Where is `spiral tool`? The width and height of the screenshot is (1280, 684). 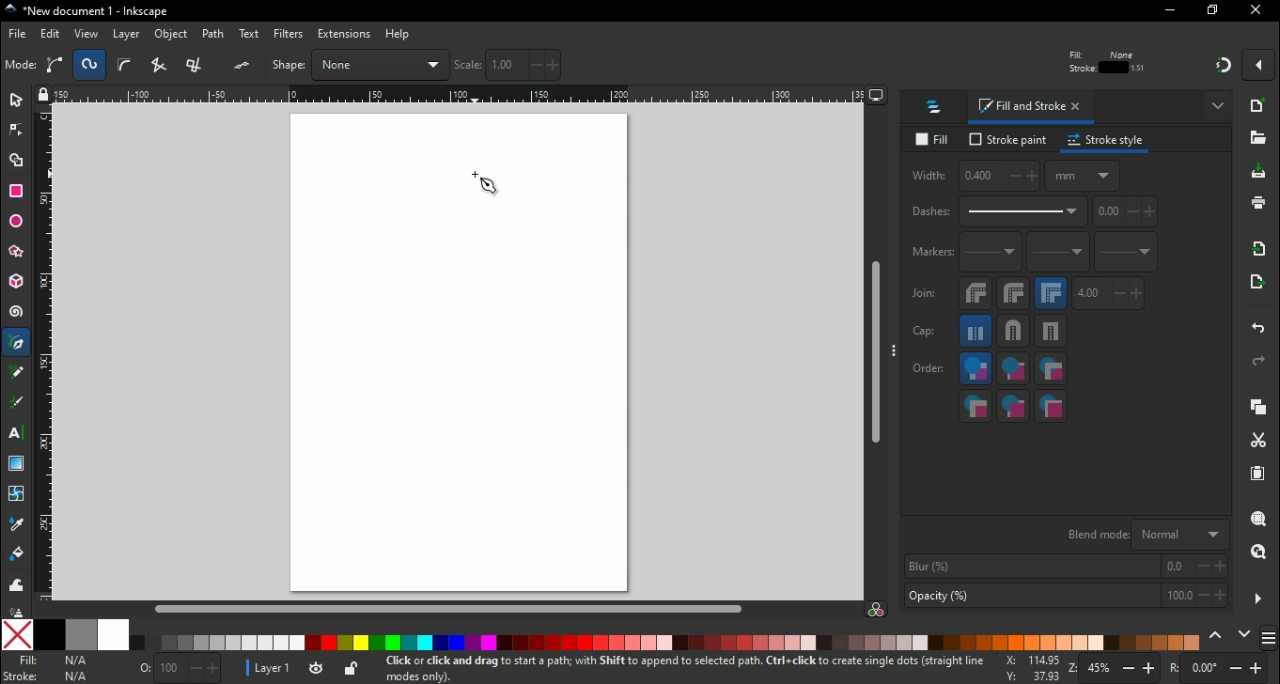 spiral tool is located at coordinates (17, 315).